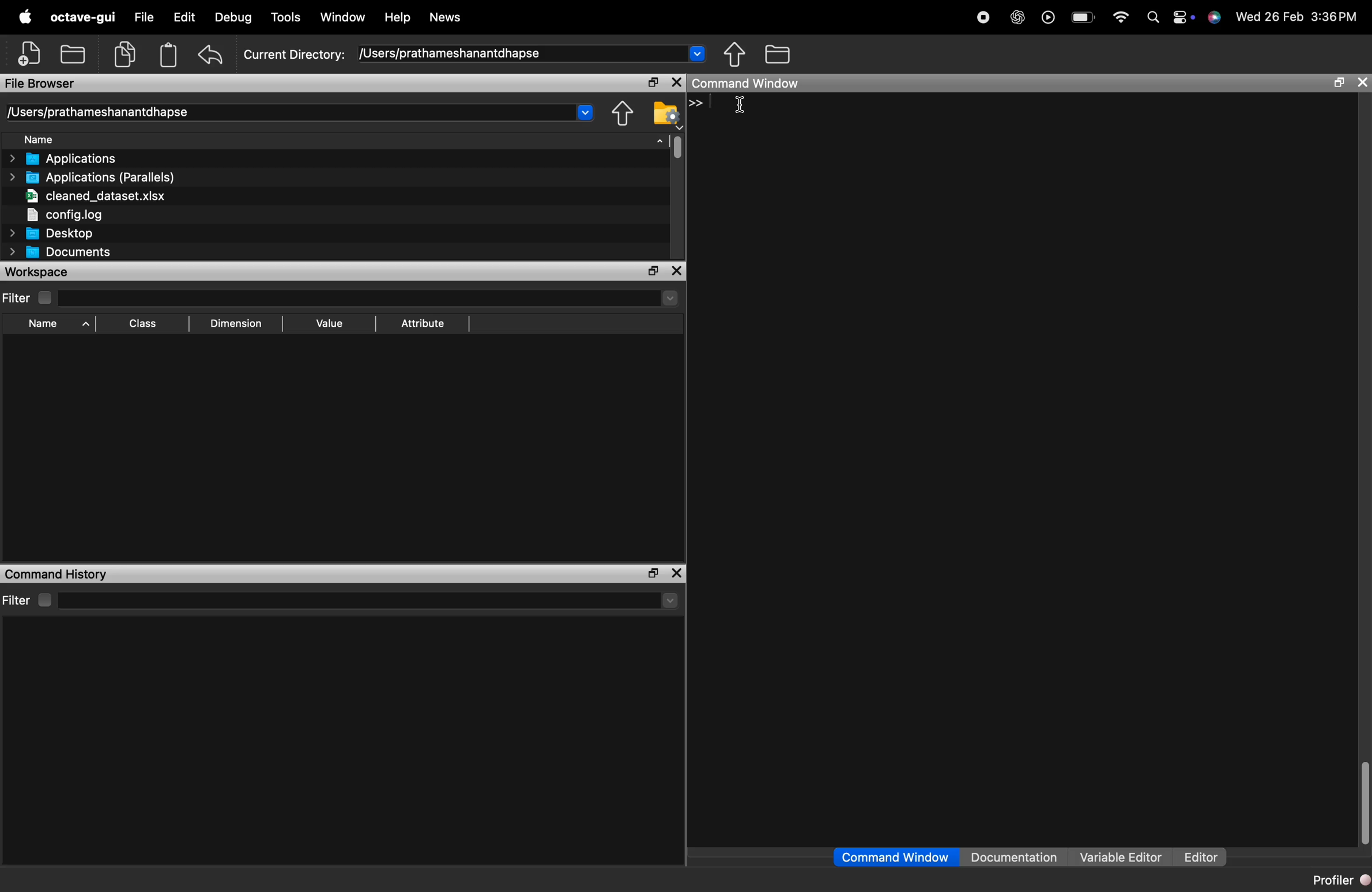 This screenshot has width=1372, height=892. I want to click on wifi, so click(1124, 18).